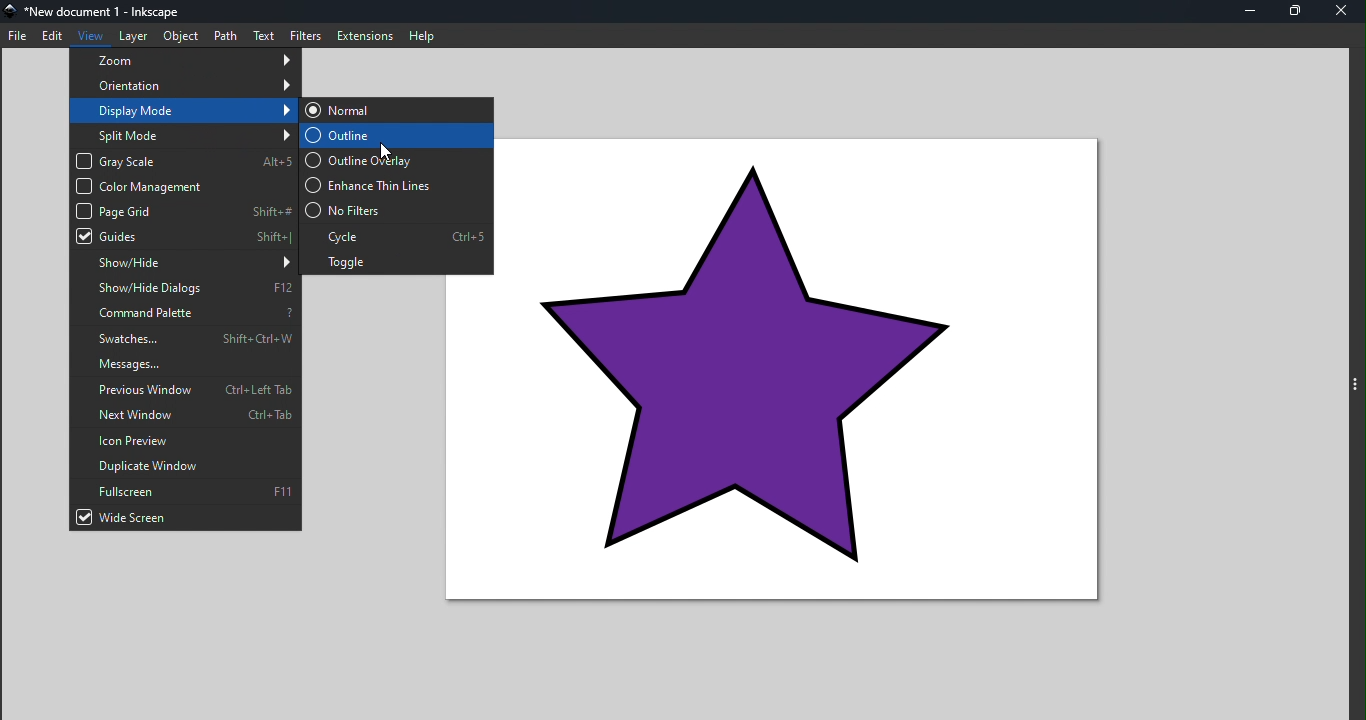 This screenshot has width=1366, height=720. What do you see at coordinates (1342, 12) in the screenshot?
I see `Close` at bounding box center [1342, 12].